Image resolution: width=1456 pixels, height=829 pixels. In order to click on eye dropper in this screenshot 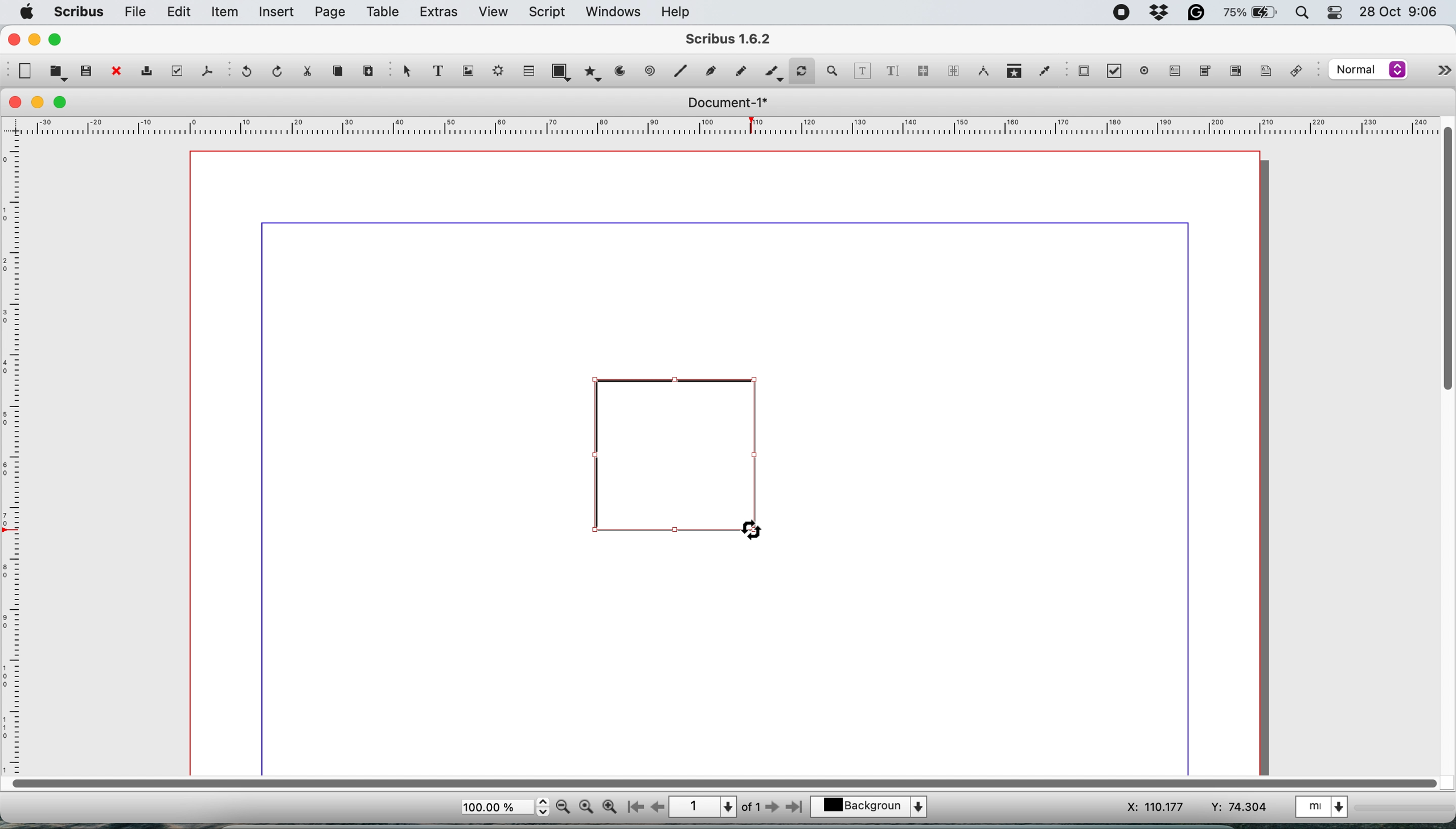, I will do `click(1044, 70)`.